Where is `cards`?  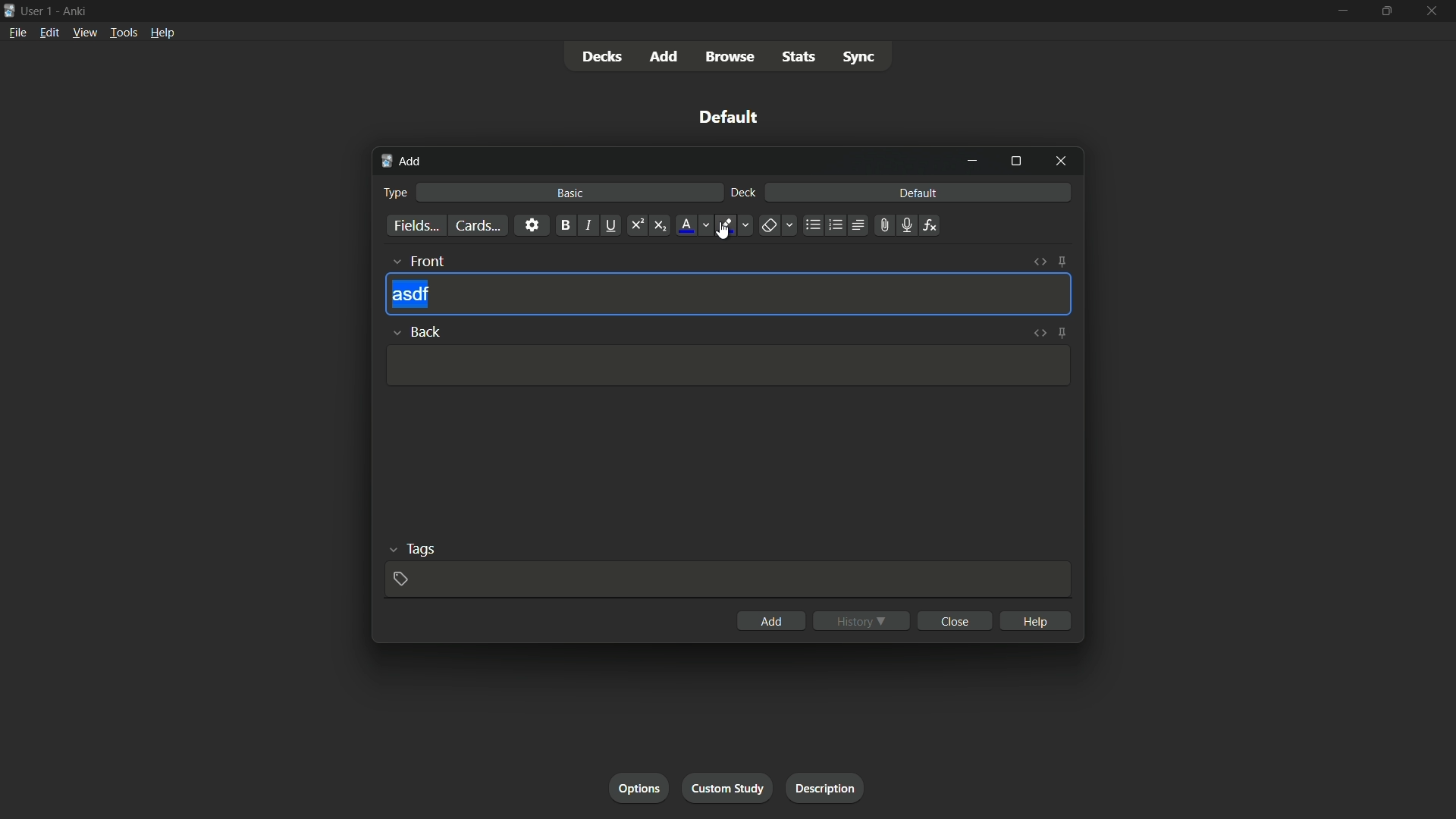 cards is located at coordinates (477, 225).